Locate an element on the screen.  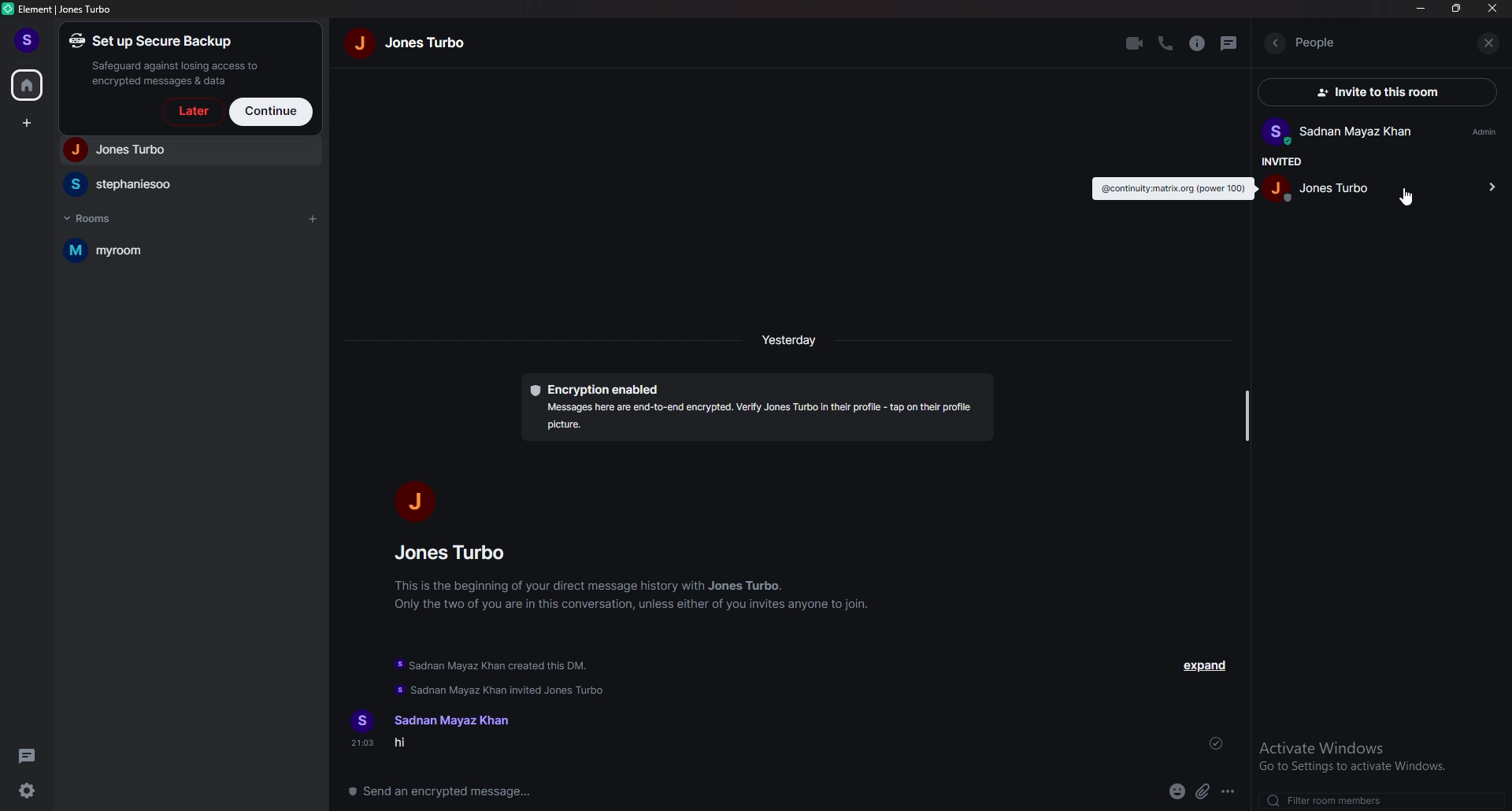
people is located at coordinates (188, 184).